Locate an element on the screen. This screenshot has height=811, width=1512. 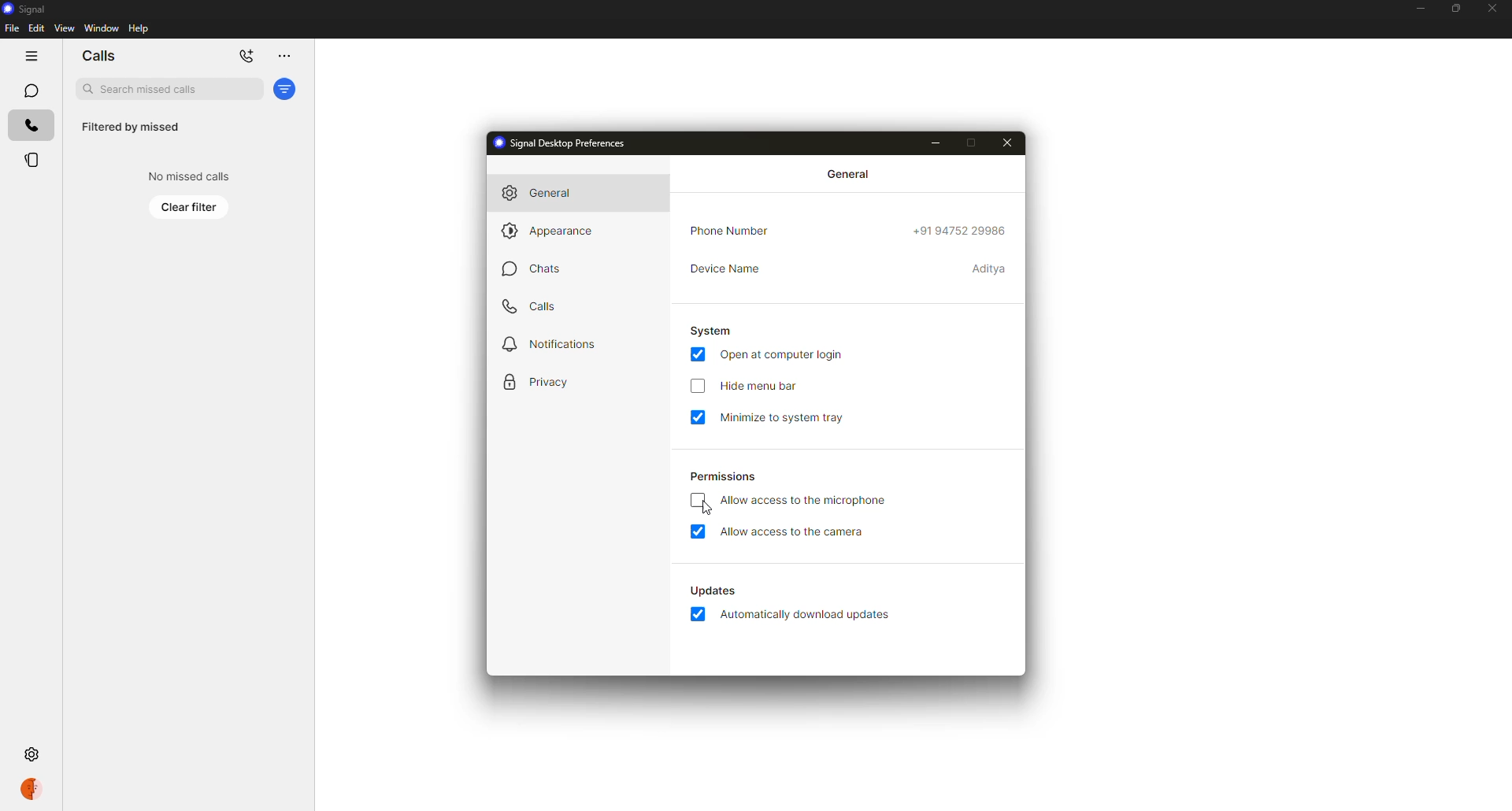
automatically download updates is located at coordinates (806, 615).